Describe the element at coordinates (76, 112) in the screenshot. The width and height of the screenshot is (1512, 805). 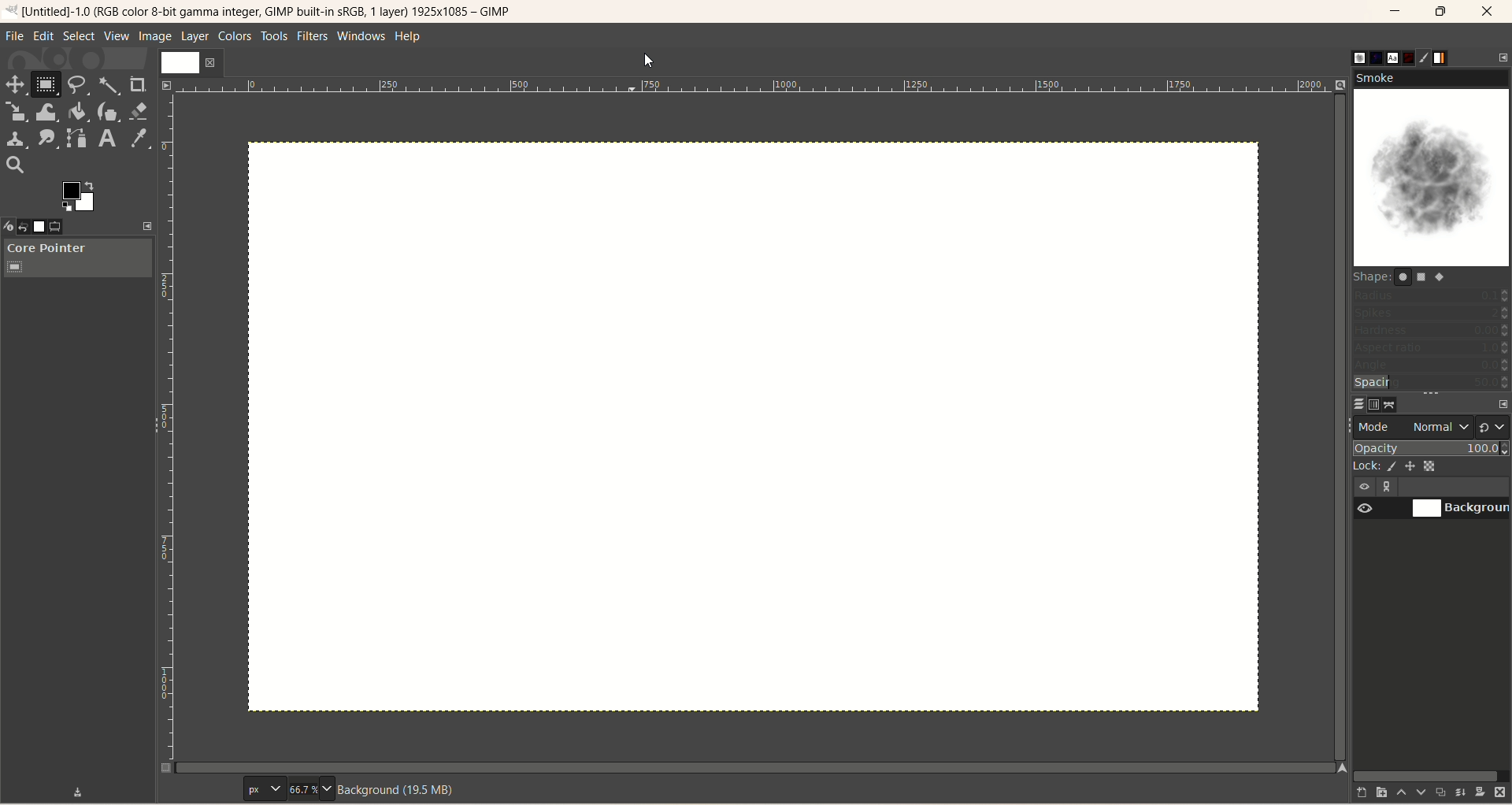
I see `bucket fill tool` at that location.